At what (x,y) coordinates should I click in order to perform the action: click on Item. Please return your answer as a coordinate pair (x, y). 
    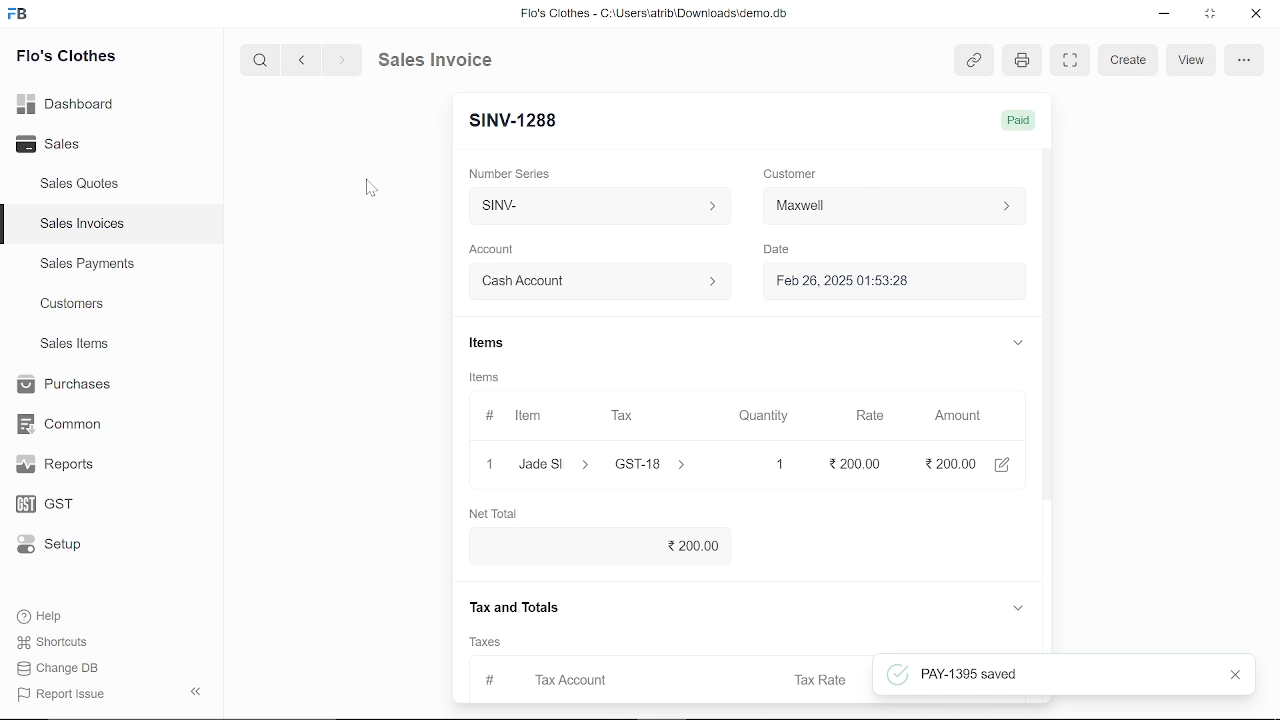
    Looking at the image, I should click on (517, 417).